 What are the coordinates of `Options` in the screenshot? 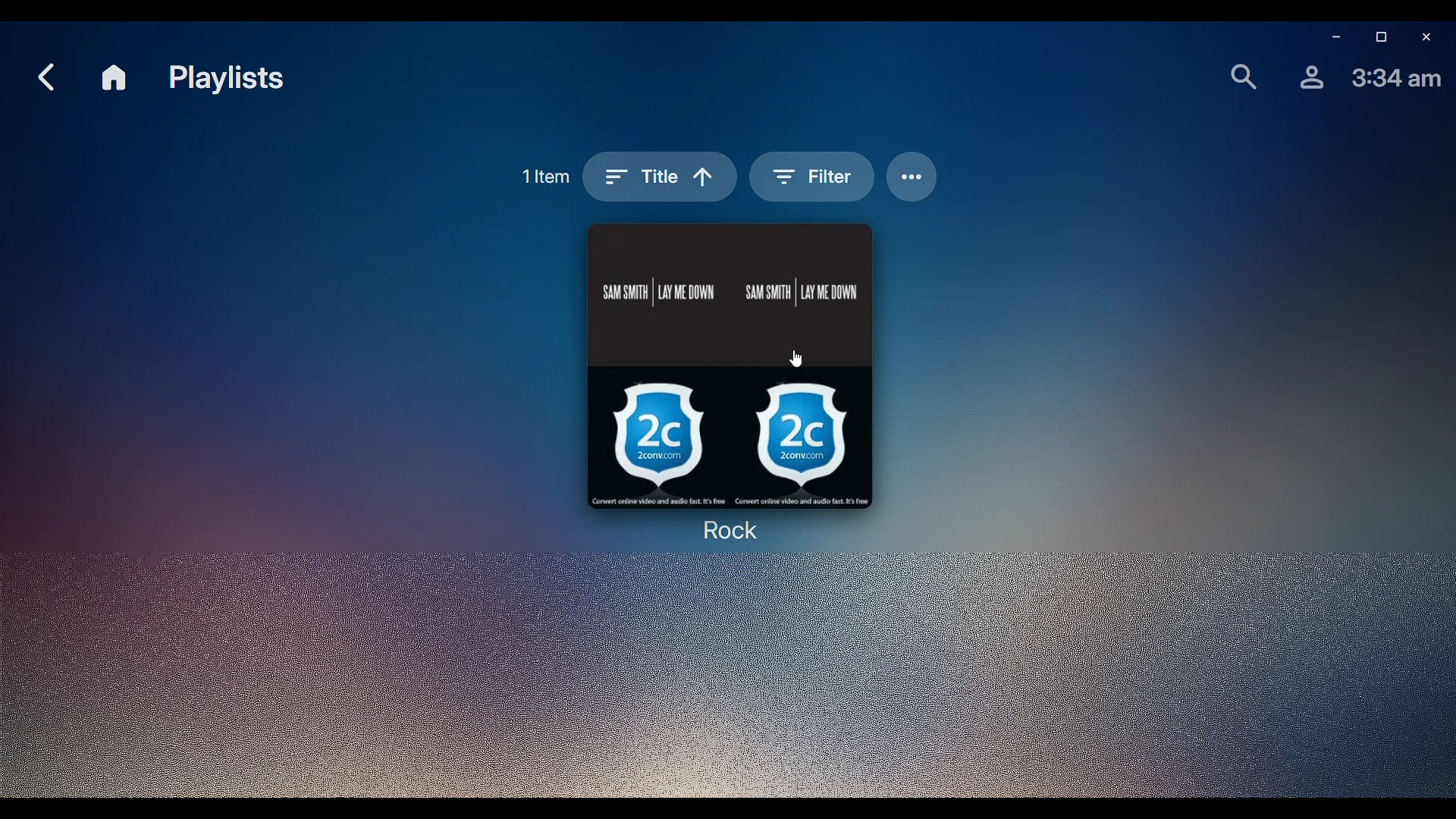 It's located at (912, 177).